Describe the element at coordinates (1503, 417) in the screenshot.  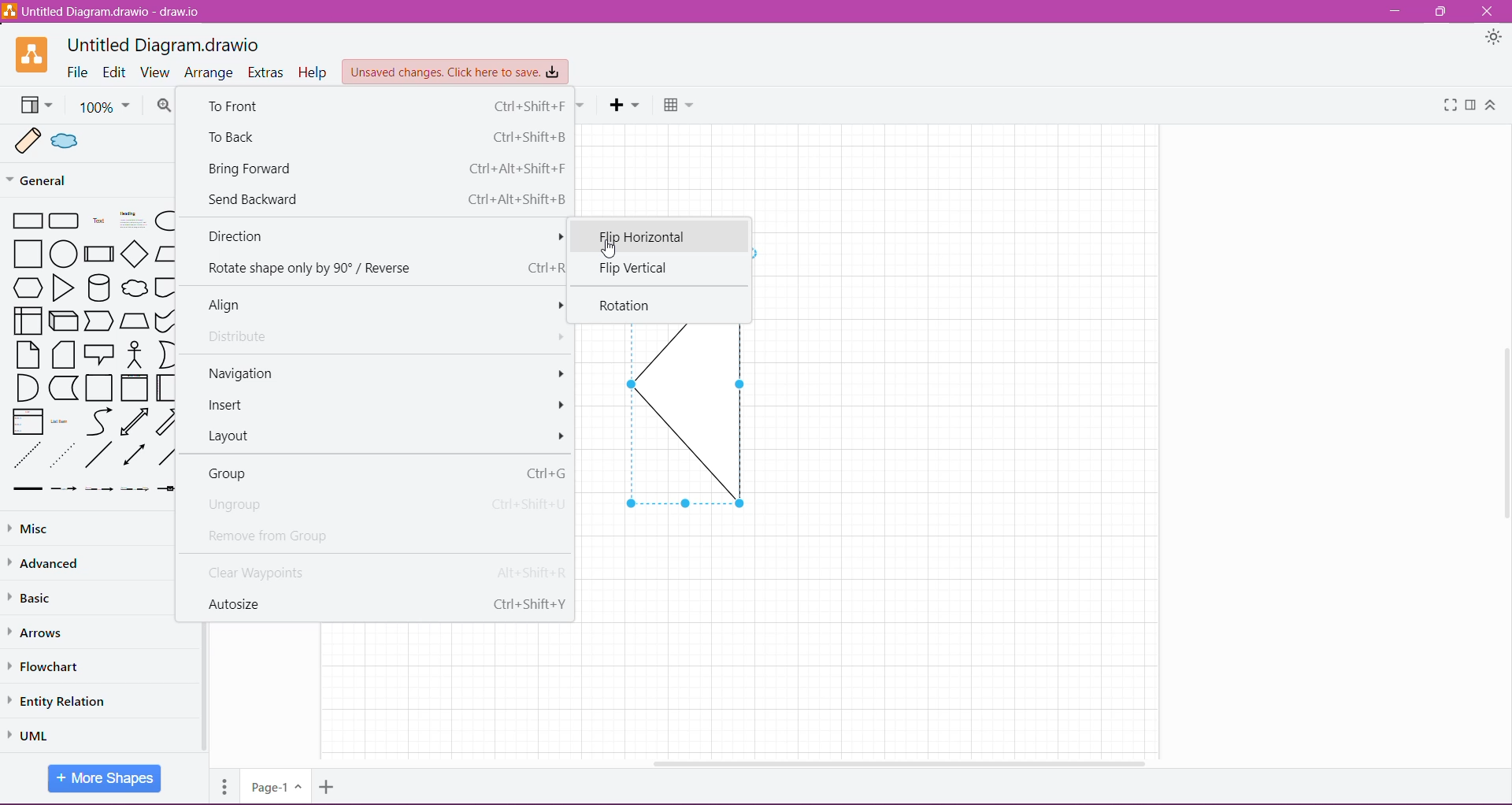
I see `Vertical Scroll Bar` at that location.